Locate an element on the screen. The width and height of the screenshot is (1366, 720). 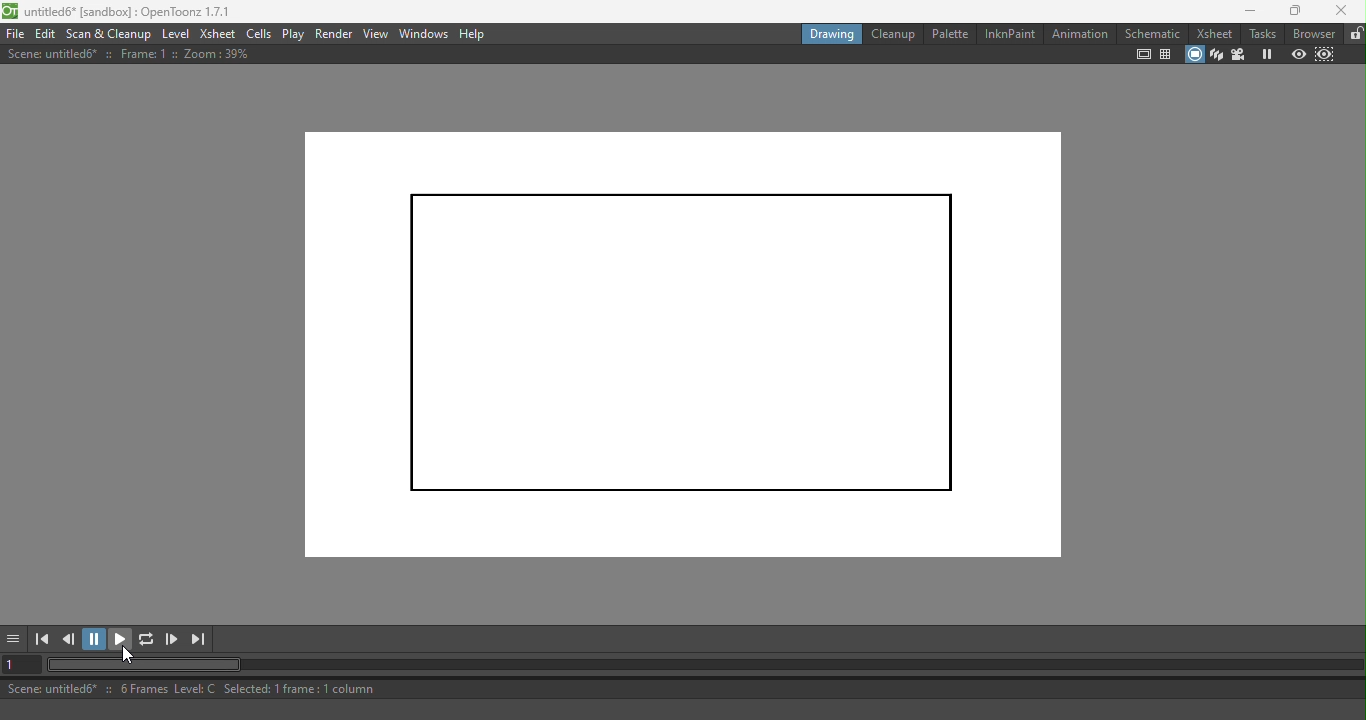
File name is located at coordinates (117, 12).